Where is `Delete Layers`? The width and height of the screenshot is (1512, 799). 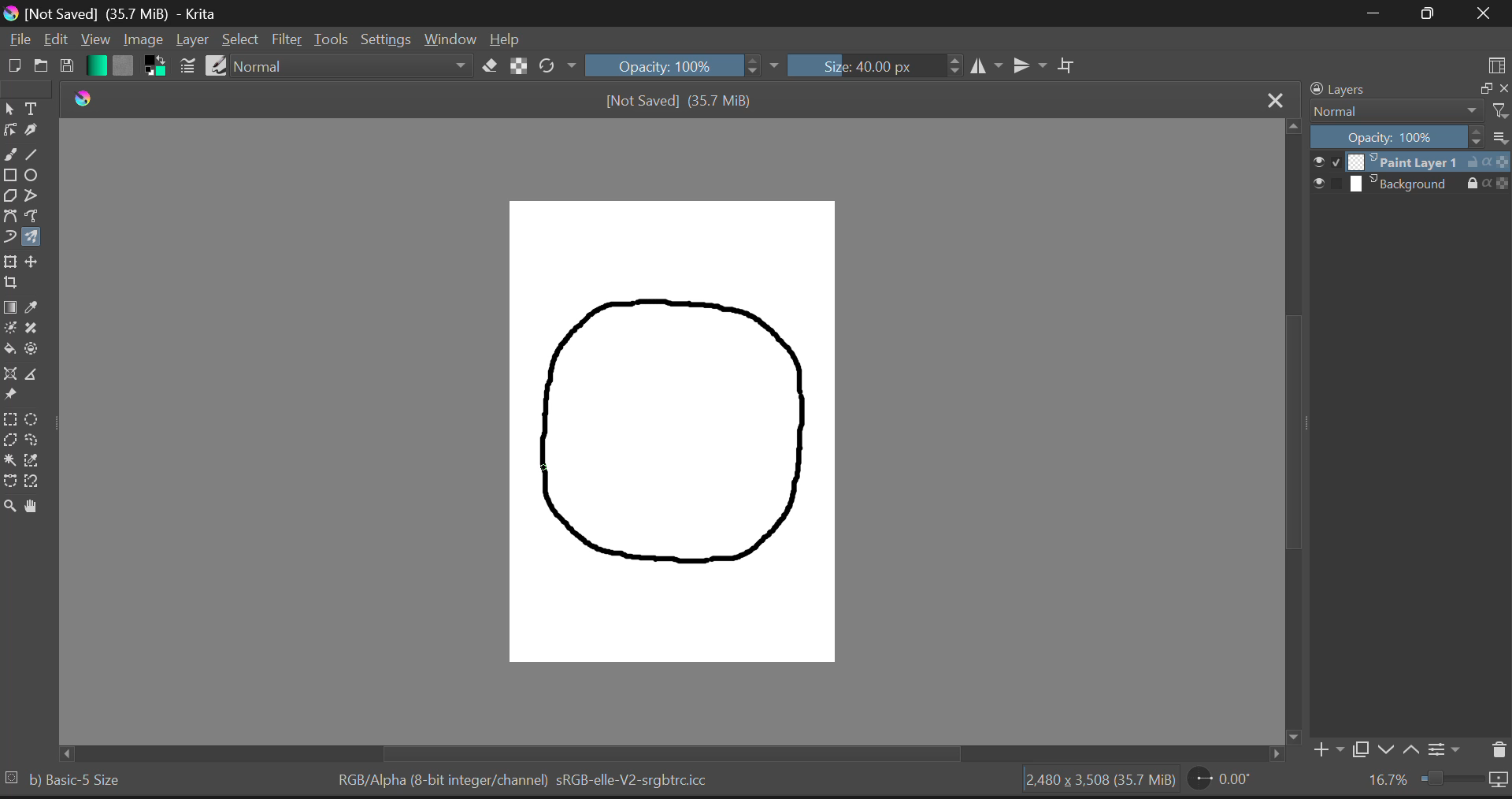 Delete Layers is located at coordinates (1497, 748).